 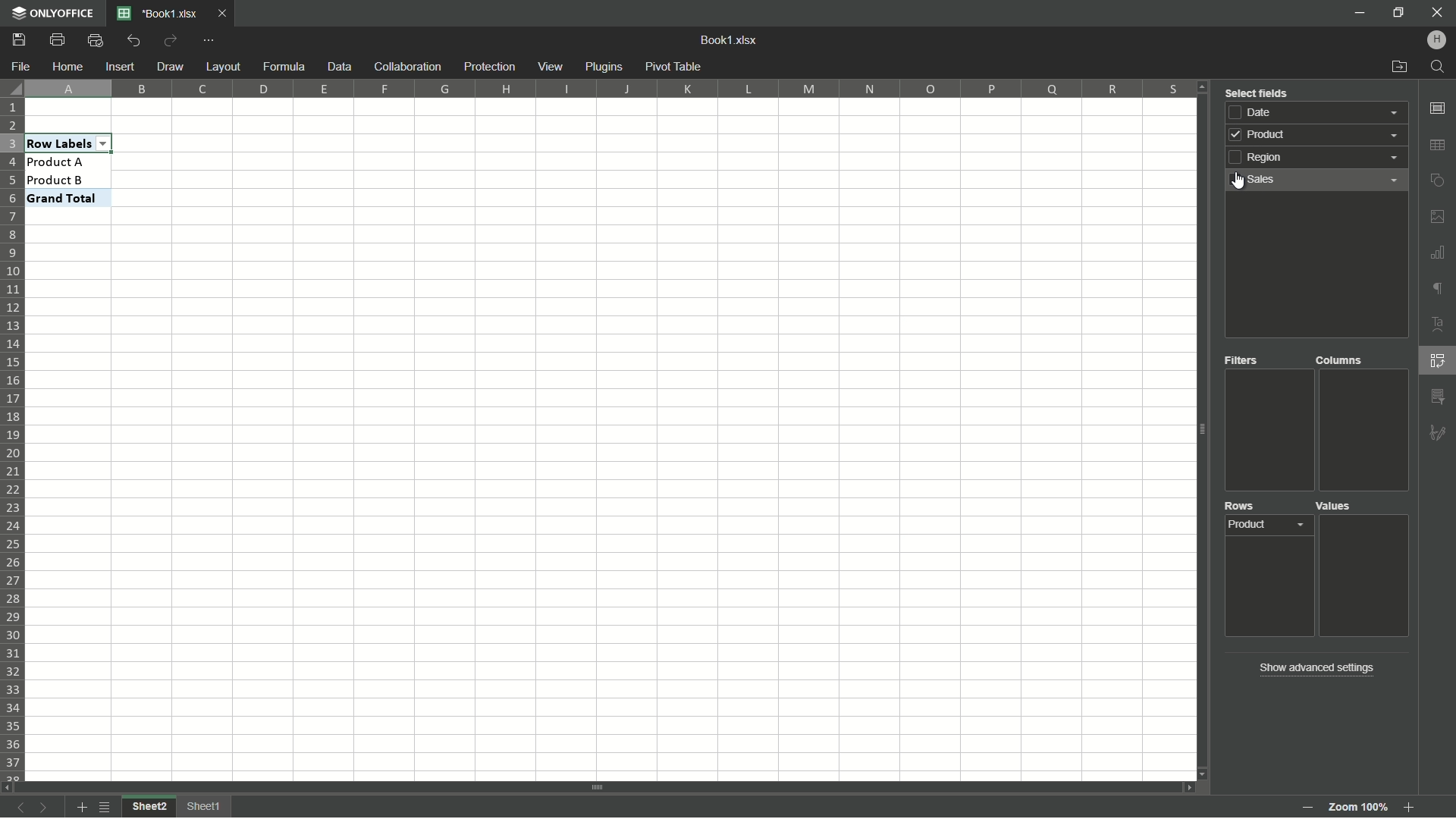 I want to click on Pivot table with product and sales field, so click(x=124, y=171).